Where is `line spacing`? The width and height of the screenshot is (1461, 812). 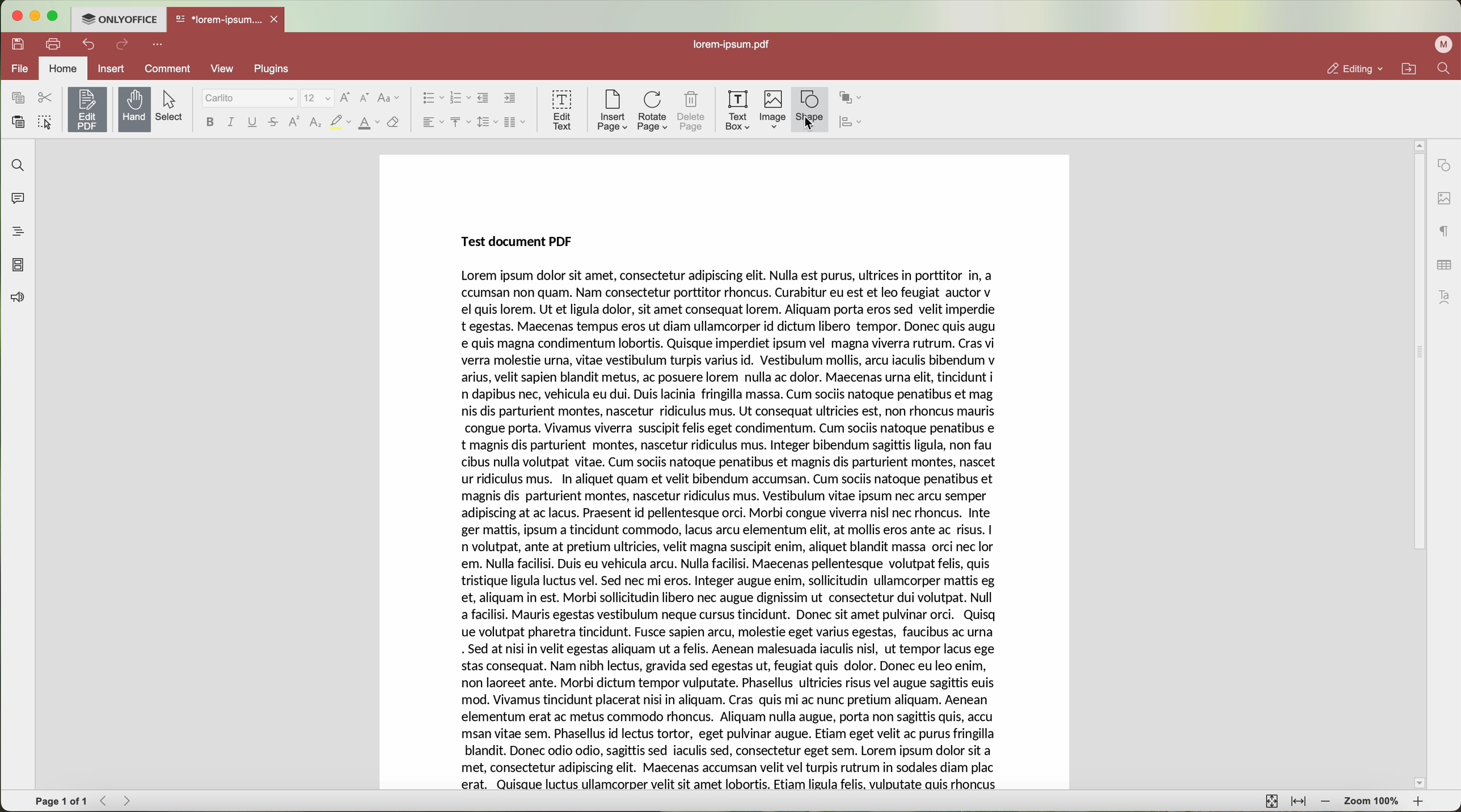 line spacing is located at coordinates (485, 122).